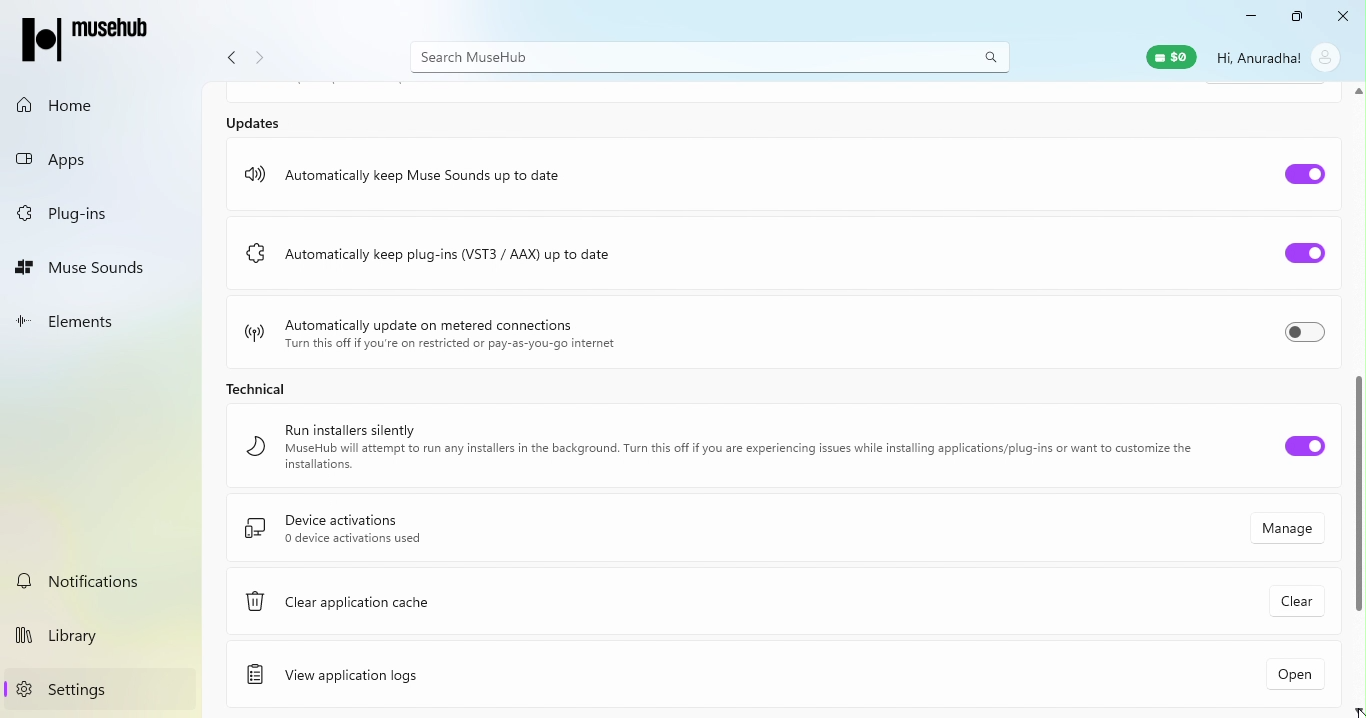  Describe the element at coordinates (709, 447) in the screenshot. I see `Run installer silently` at that location.